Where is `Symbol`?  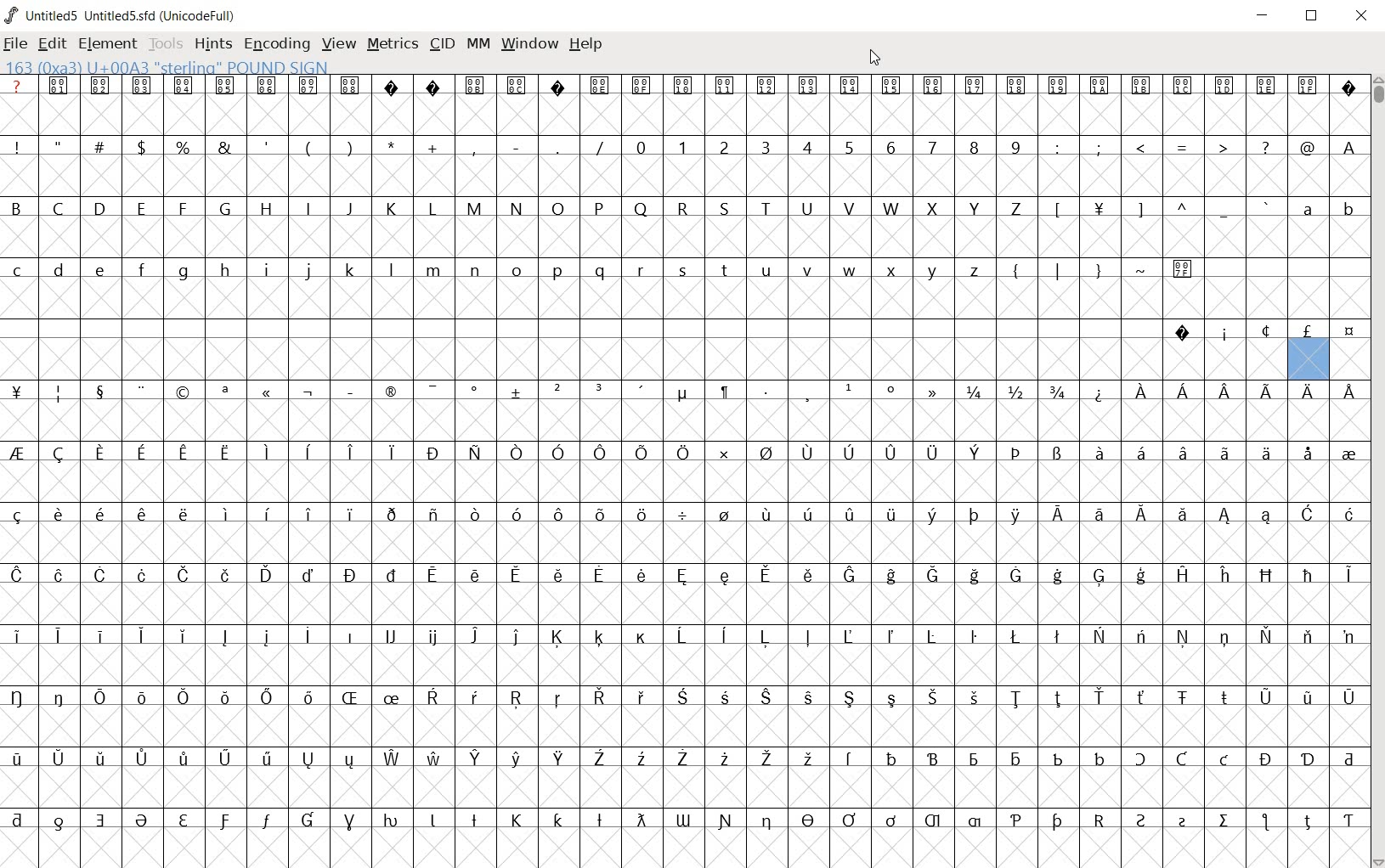 Symbol is located at coordinates (977, 454).